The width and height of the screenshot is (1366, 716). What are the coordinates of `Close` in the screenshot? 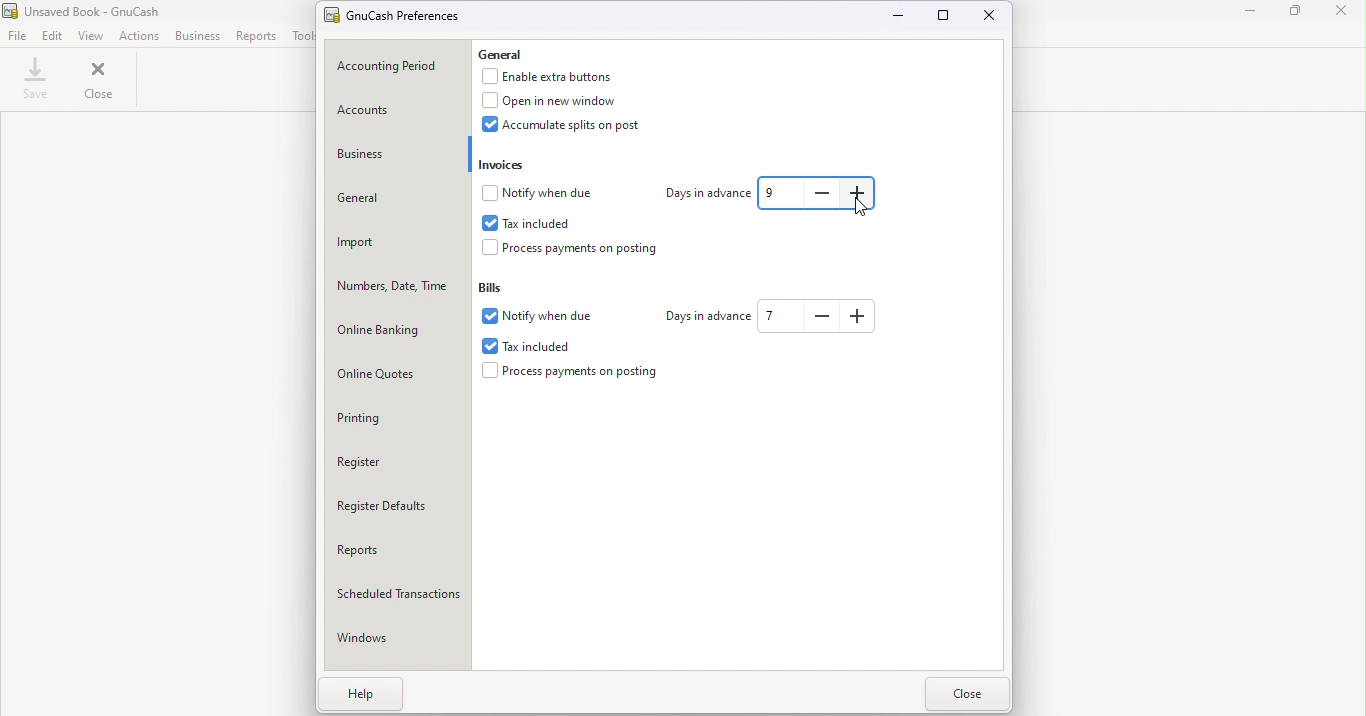 It's located at (967, 695).